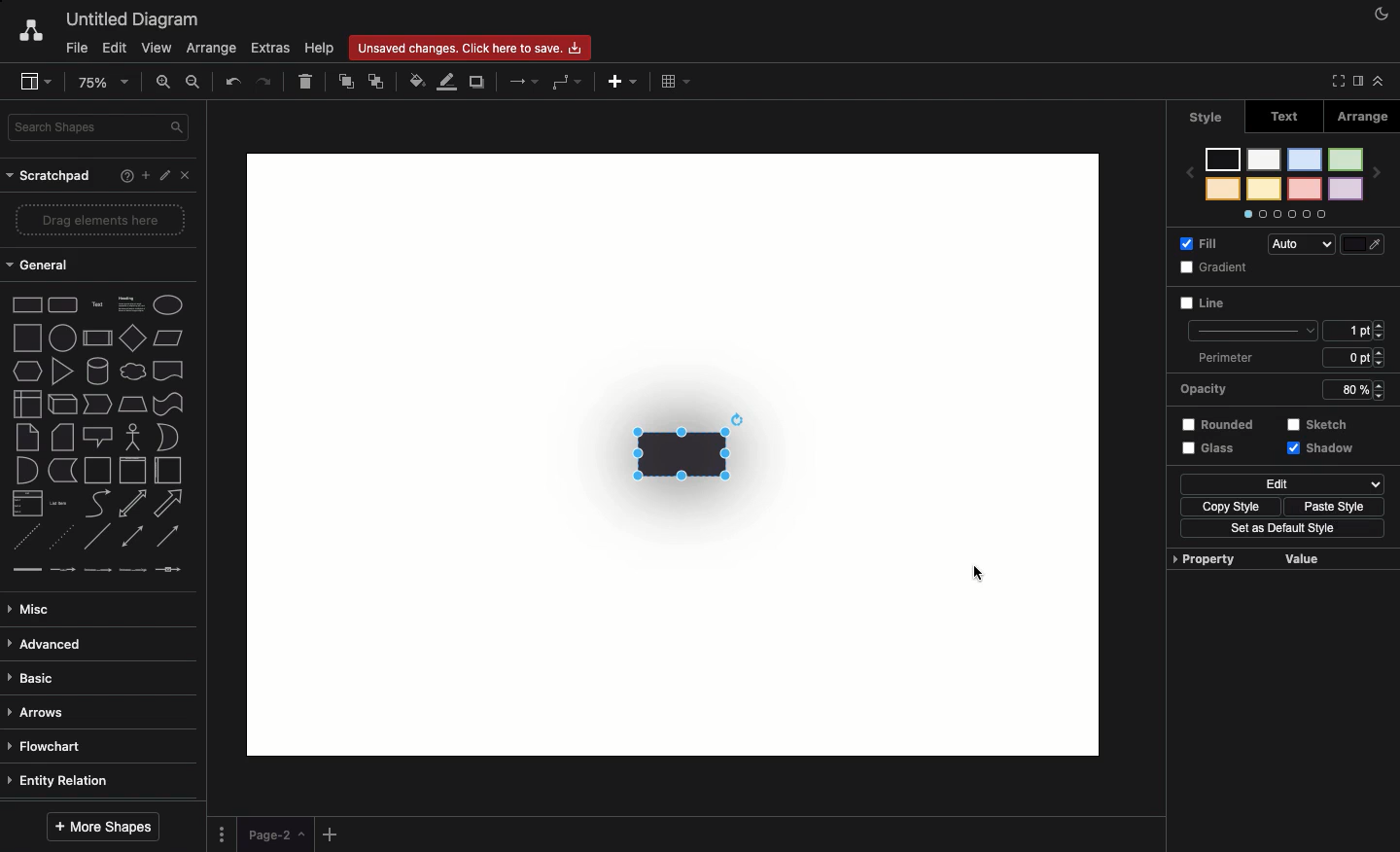 Image resolution: width=1400 pixels, height=852 pixels. Describe the element at coordinates (61, 370) in the screenshot. I see `triangle` at that location.